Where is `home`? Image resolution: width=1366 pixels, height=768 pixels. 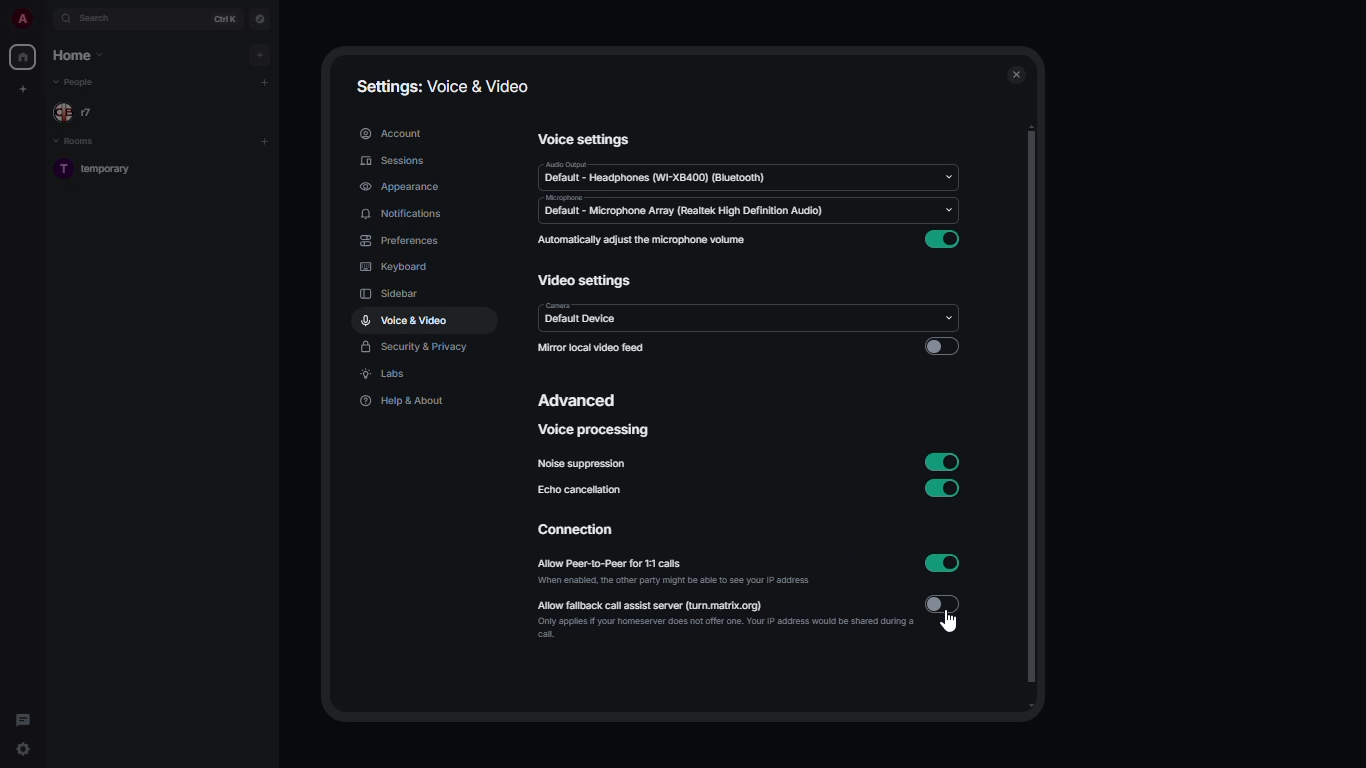 home is located at coordinates (77, 54).